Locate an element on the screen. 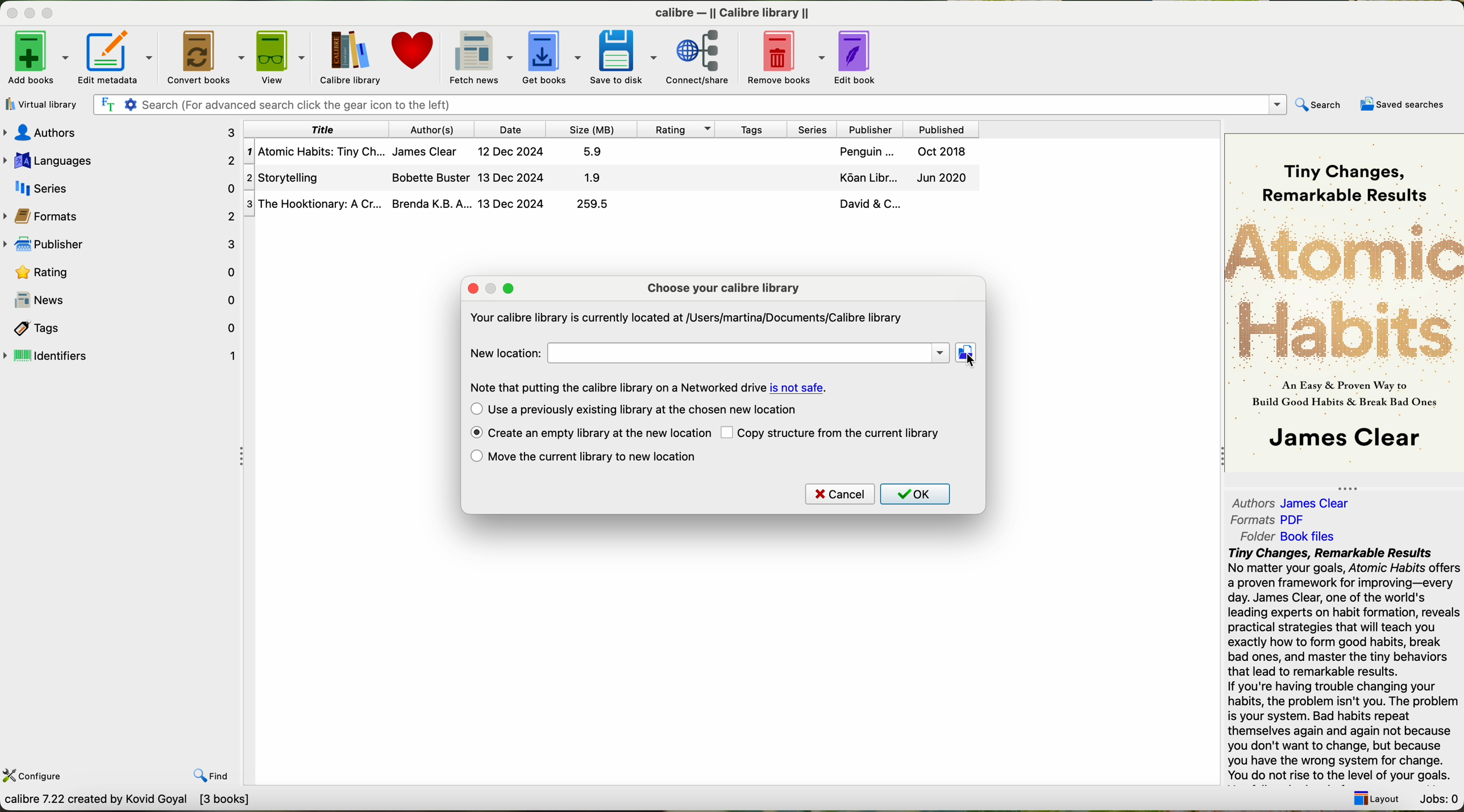 This screenshot has height=812, width=1464. move the current library is located at coordinates (584, 457).